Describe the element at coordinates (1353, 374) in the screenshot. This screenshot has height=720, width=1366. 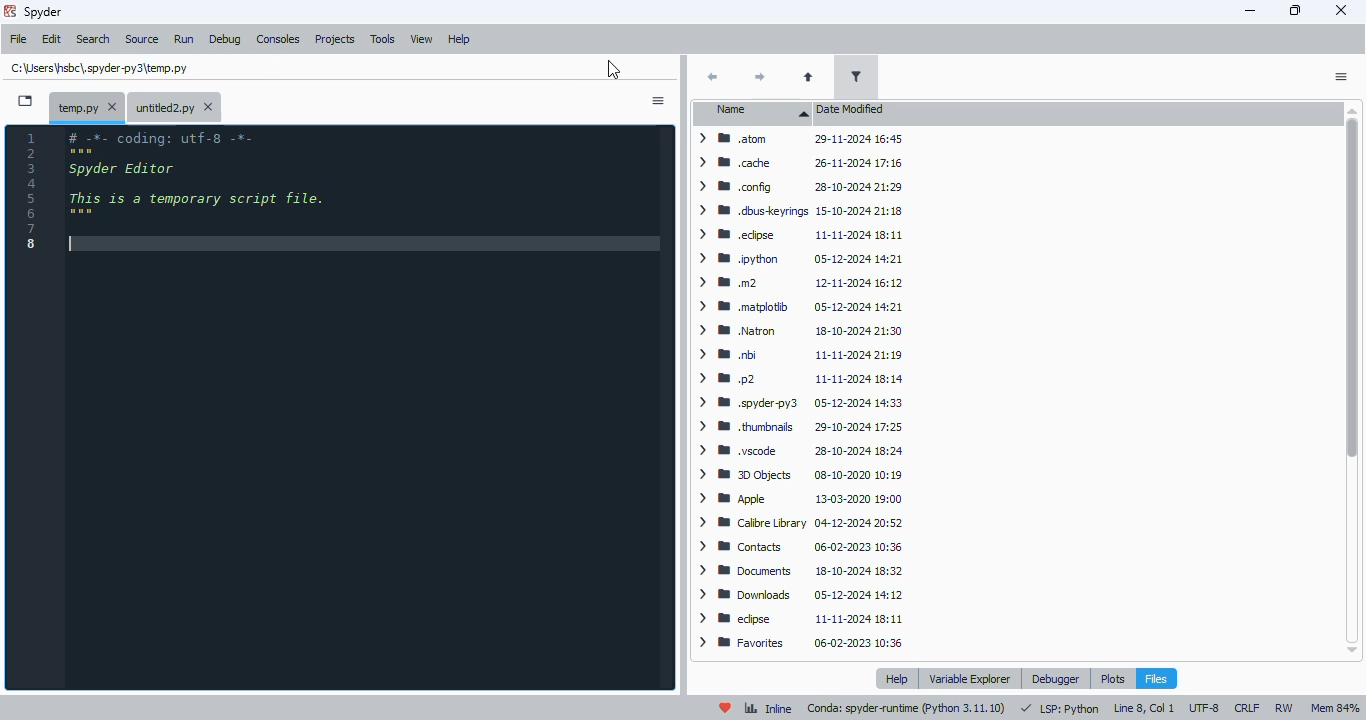
I see `vertical scroll bar` at that location.